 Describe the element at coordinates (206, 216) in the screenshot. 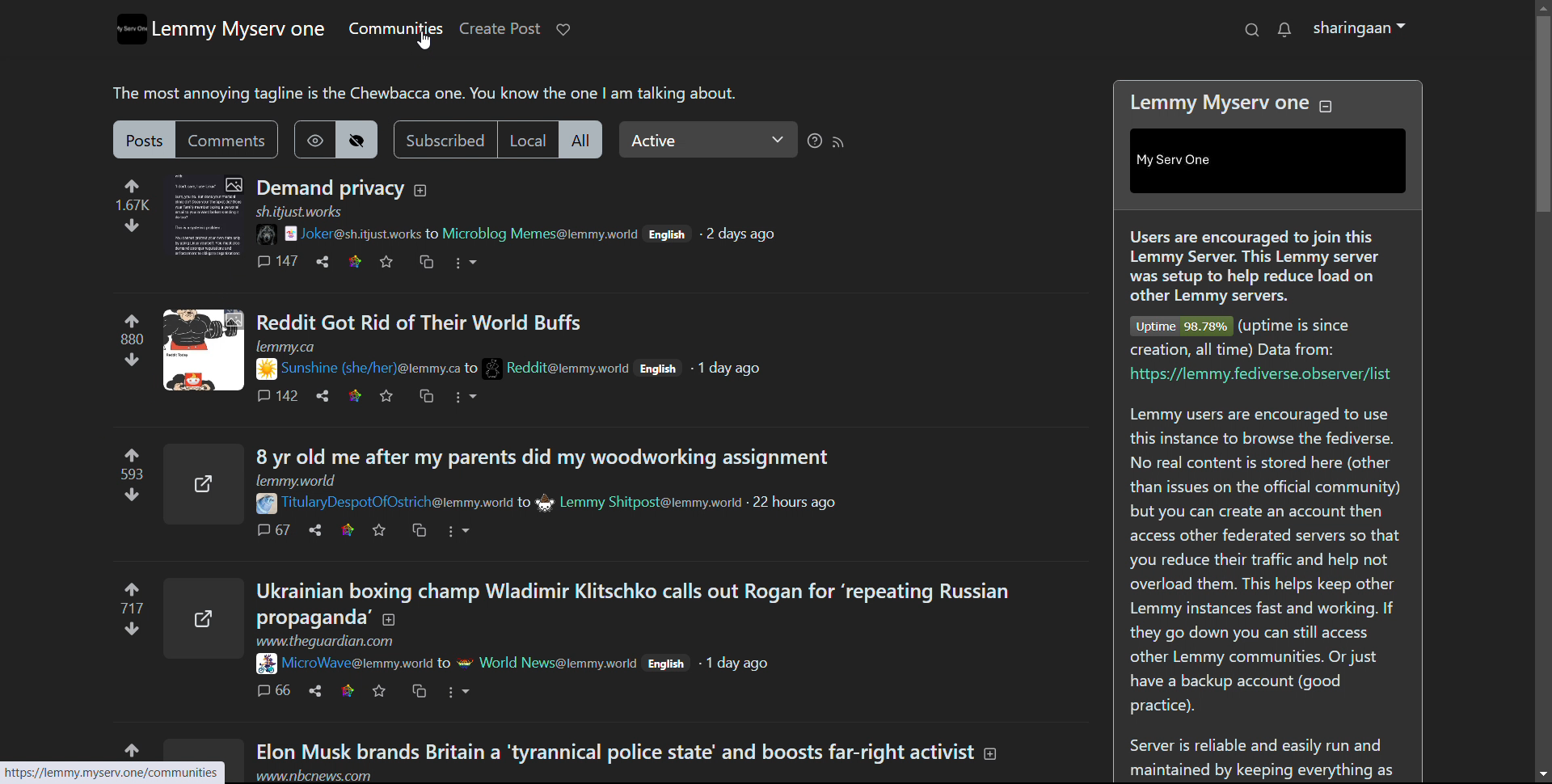

I see `thumbnail` at that location.